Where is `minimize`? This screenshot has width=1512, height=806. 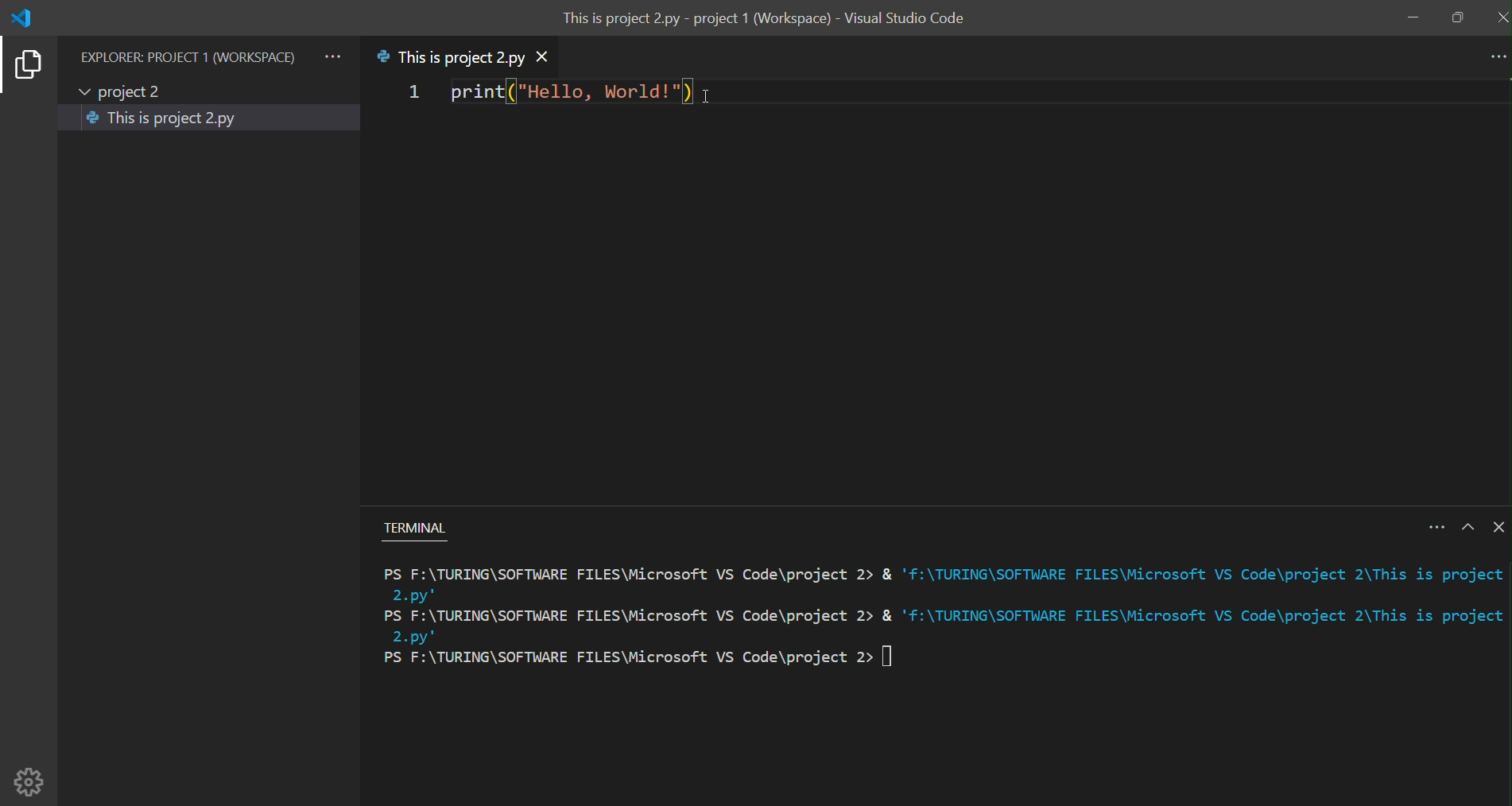 minimize is located at coordinates (1413, 19).